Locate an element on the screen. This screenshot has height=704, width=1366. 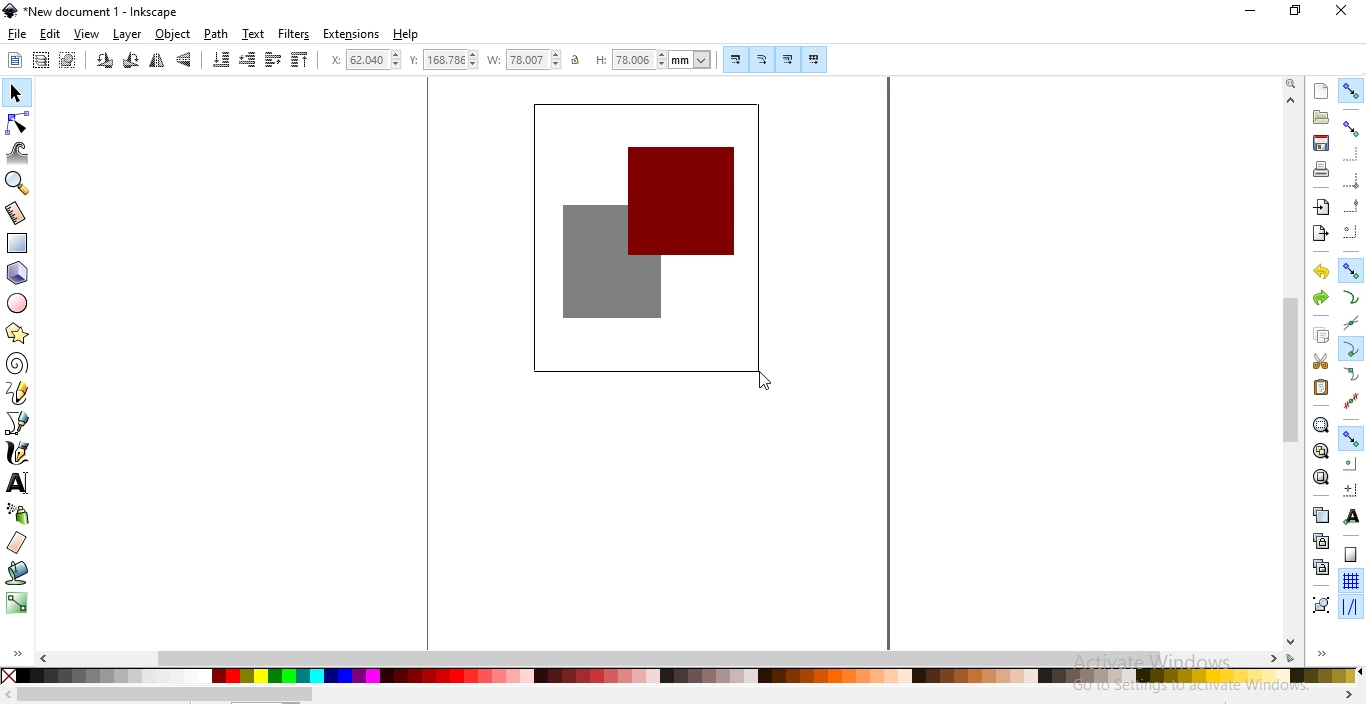
snap midpoints of line segments is located at coordinates (1350, 401).